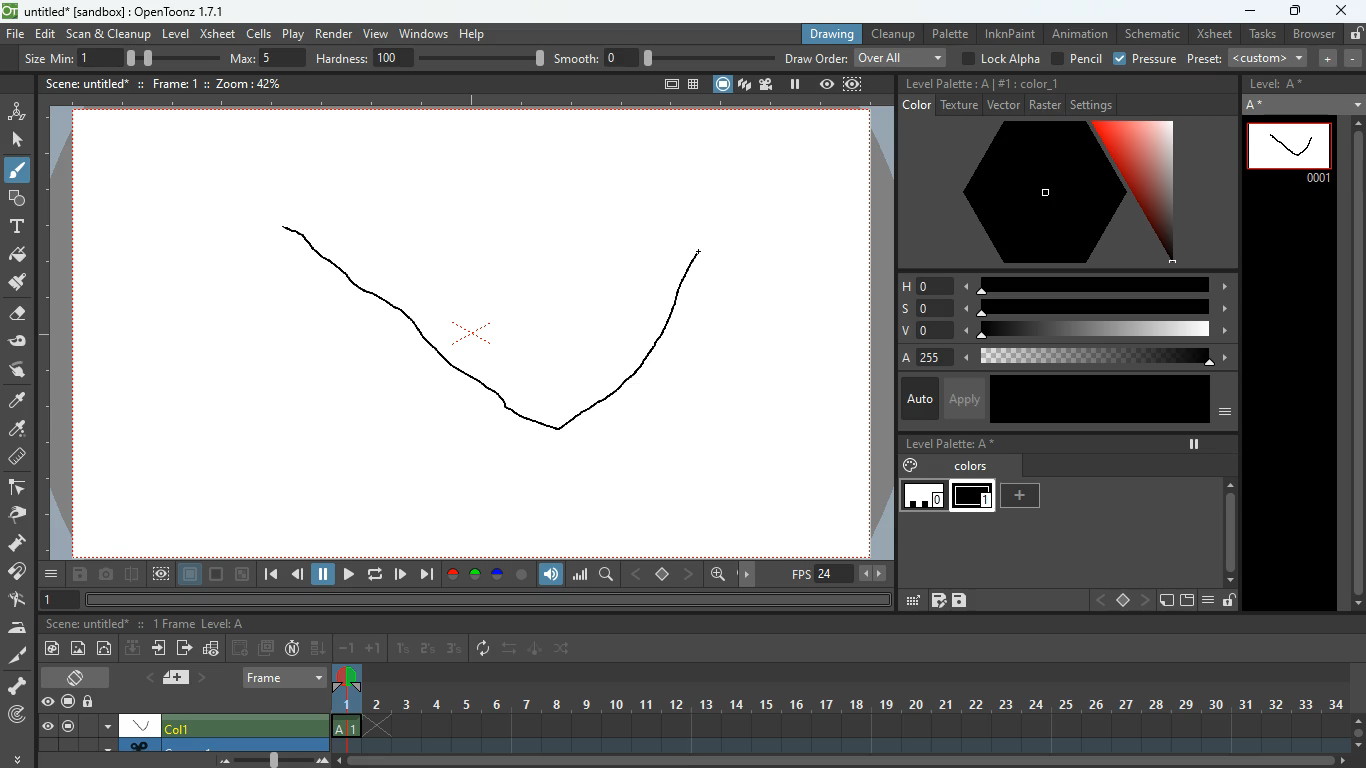 This screenshot has width=1366, height=768. Describe the element at coordinates (917, 400) in the screenshot. I see `auto` at that location.